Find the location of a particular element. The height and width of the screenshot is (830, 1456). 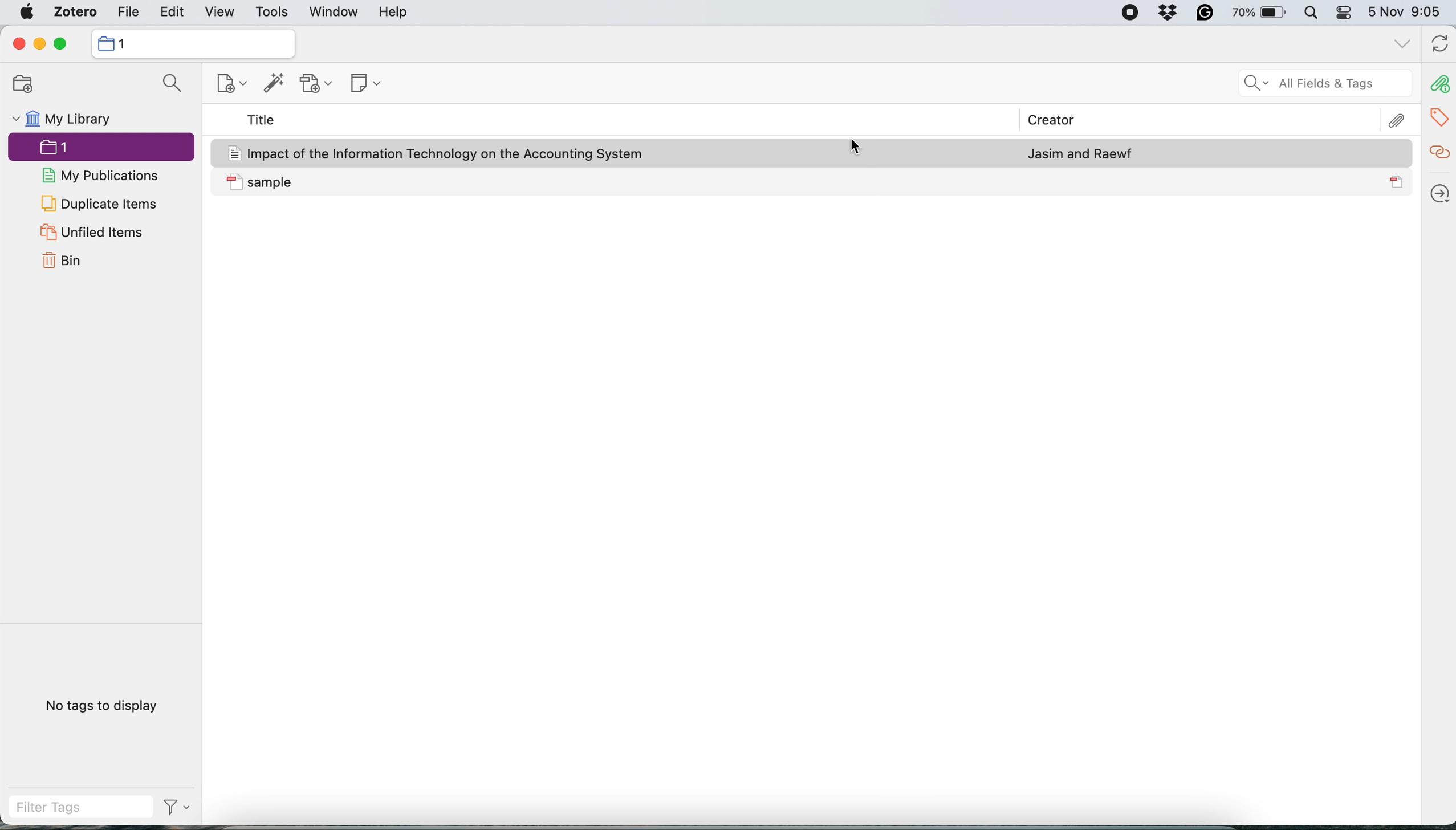

new attachment is located at coordinates (318, 83).